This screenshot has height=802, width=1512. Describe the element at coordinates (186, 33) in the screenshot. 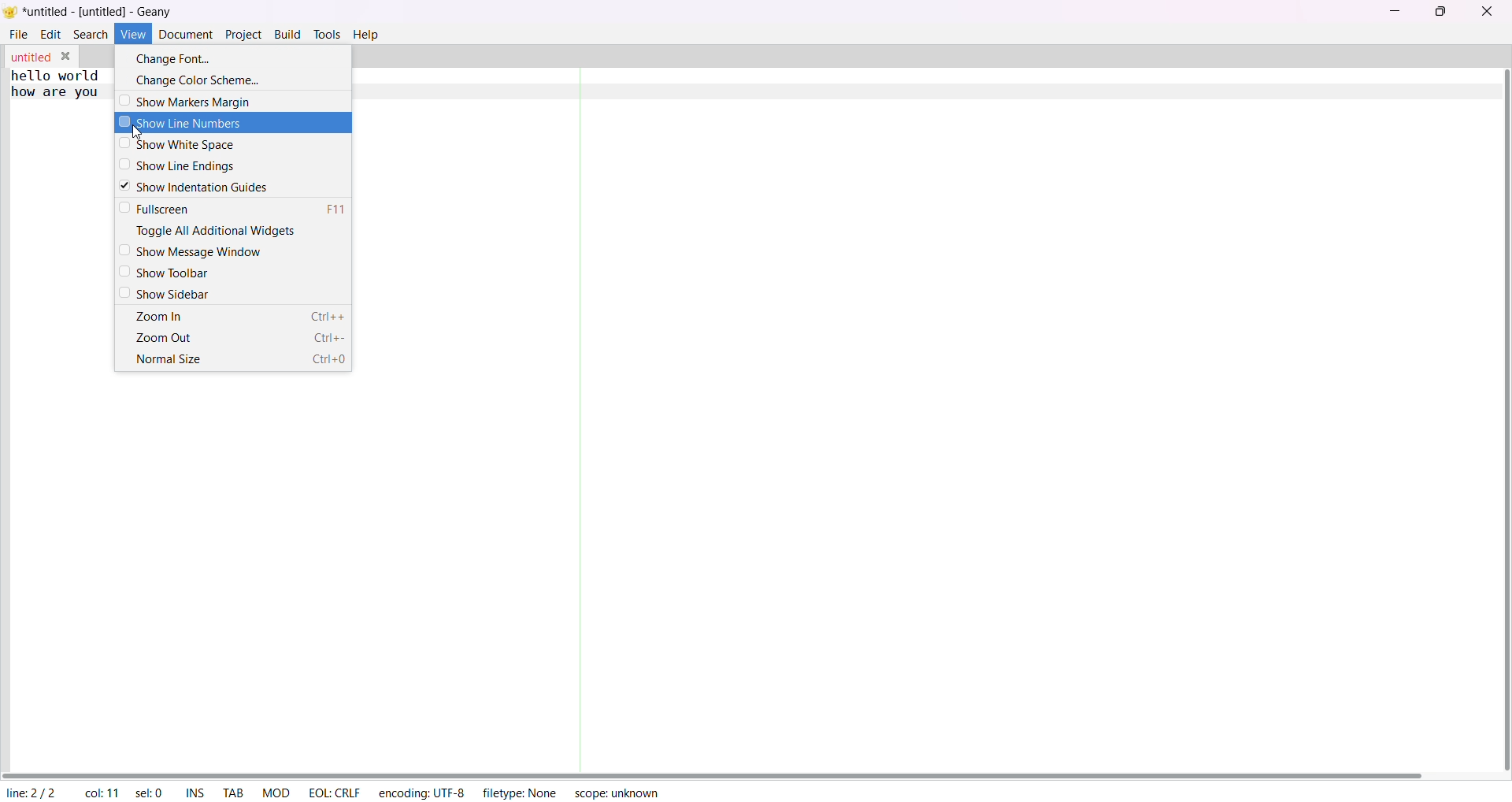

I see `document` at that location.